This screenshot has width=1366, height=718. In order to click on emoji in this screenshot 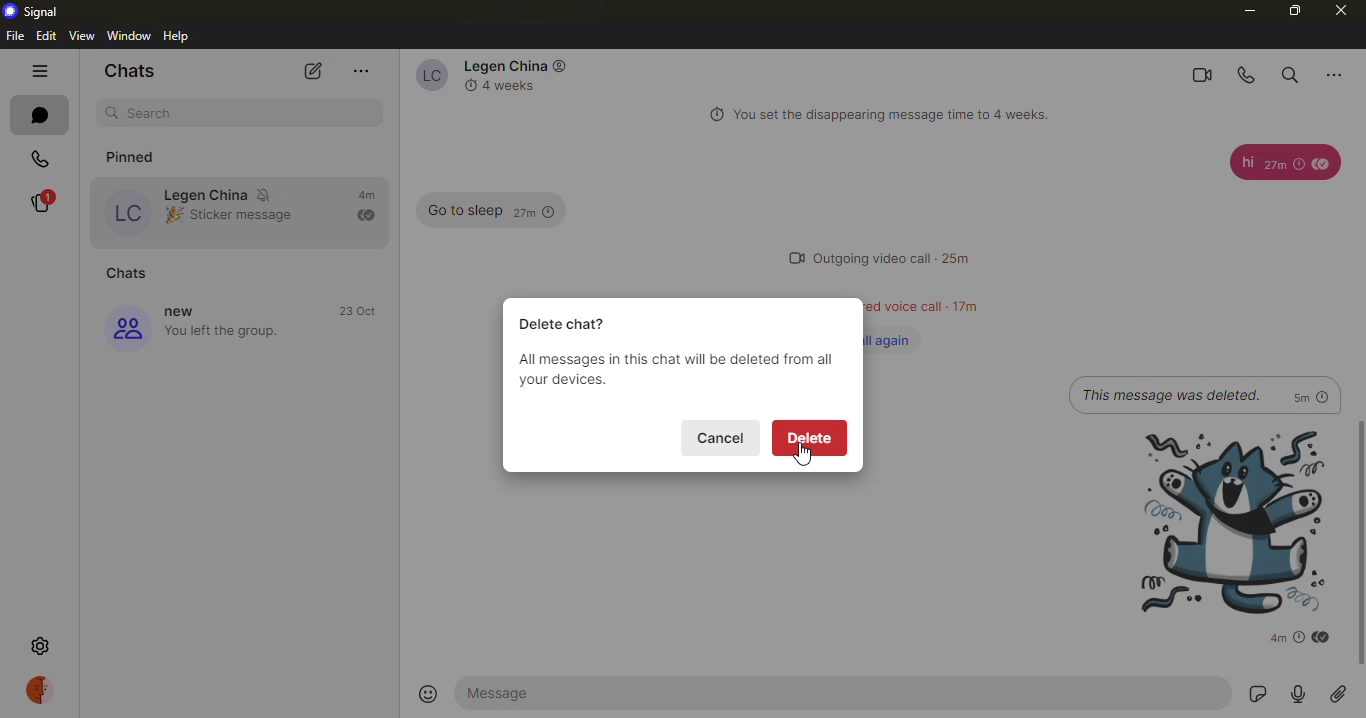, I will do `click(428, 694)`.